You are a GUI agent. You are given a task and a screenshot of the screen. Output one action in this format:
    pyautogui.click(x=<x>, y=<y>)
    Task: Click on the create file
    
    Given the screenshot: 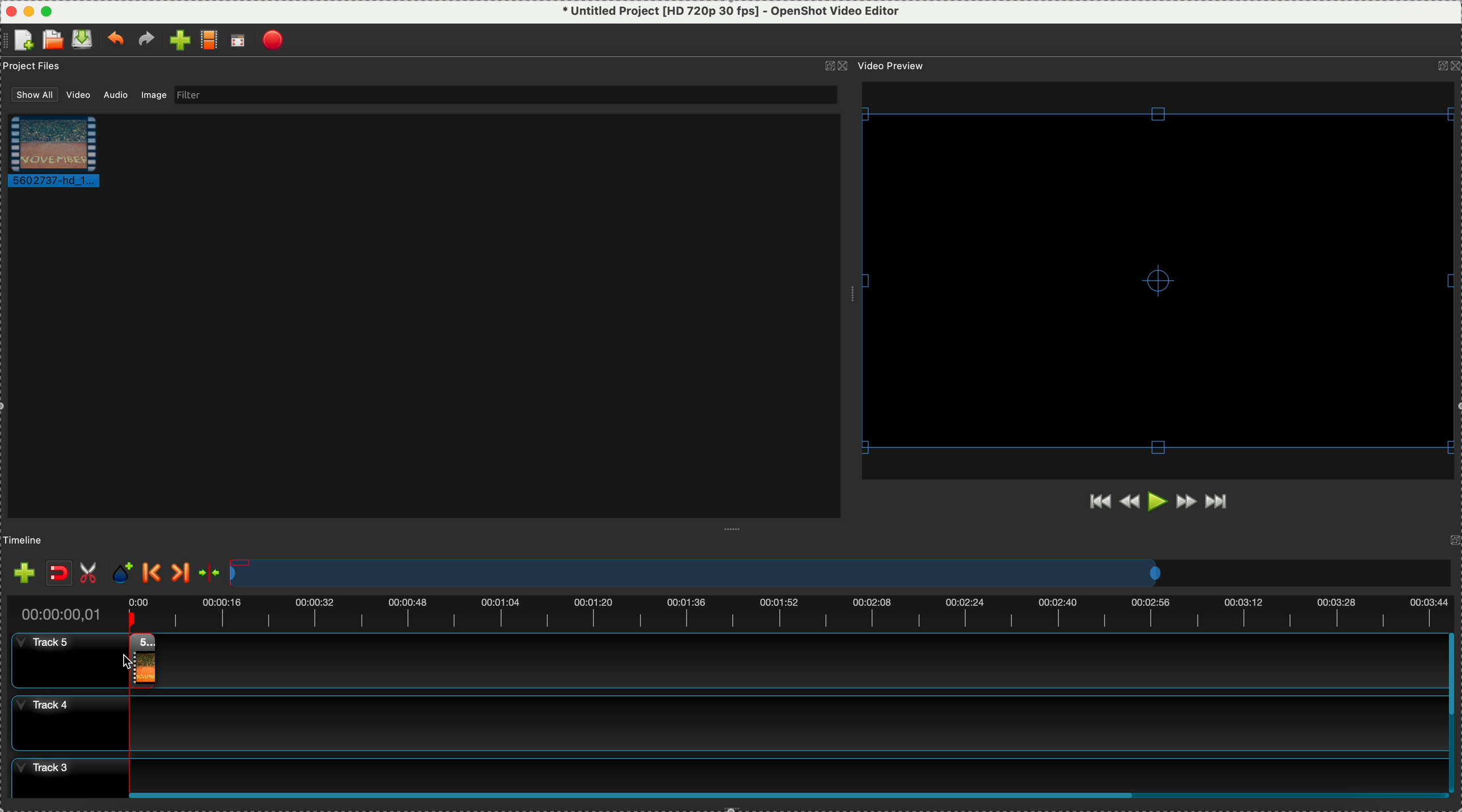 What is the action you would take?
    pyautogui.click(x=21, y=41)
    